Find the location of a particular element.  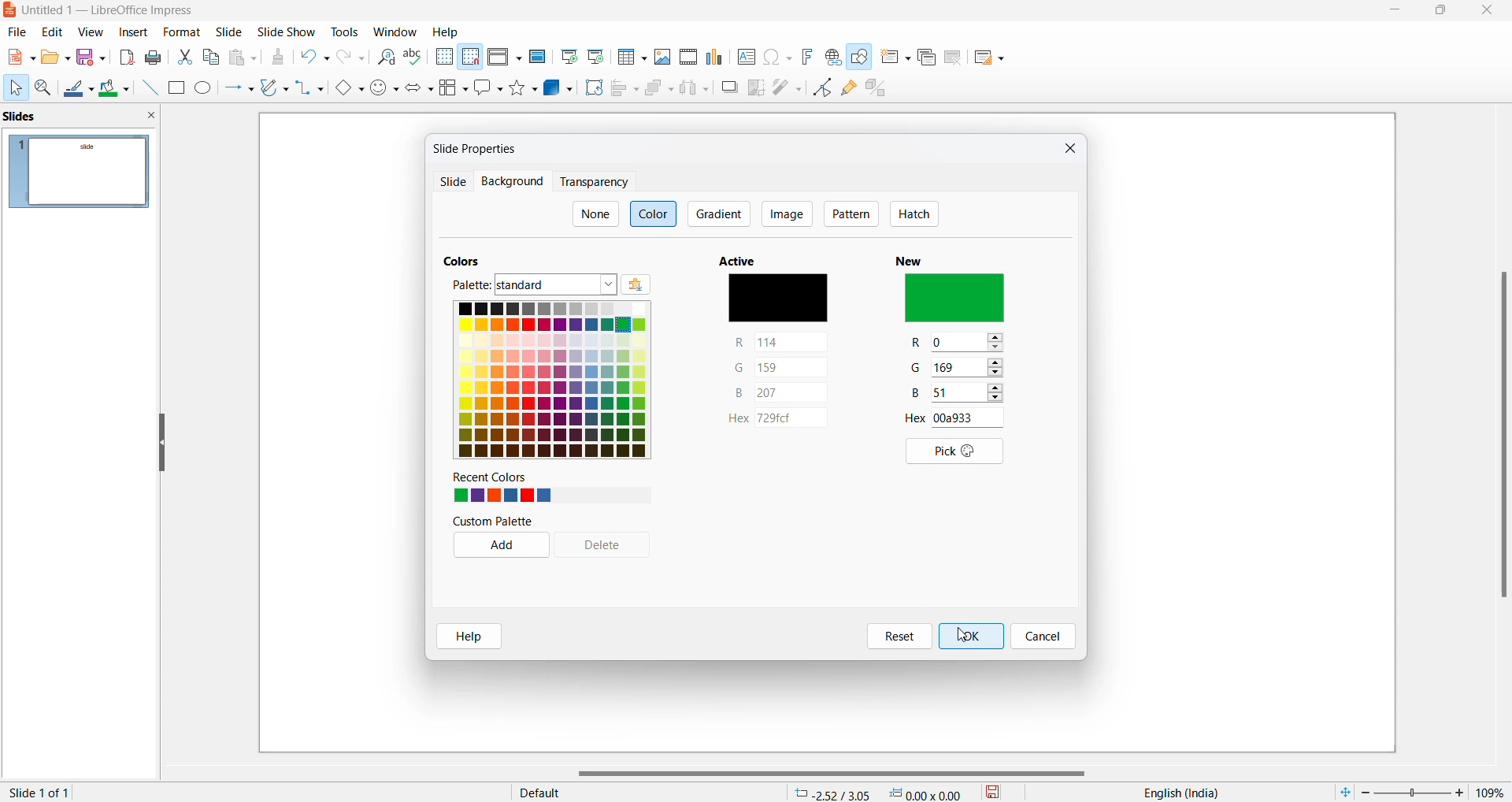

fill color  is located at coordinates (116, 89).